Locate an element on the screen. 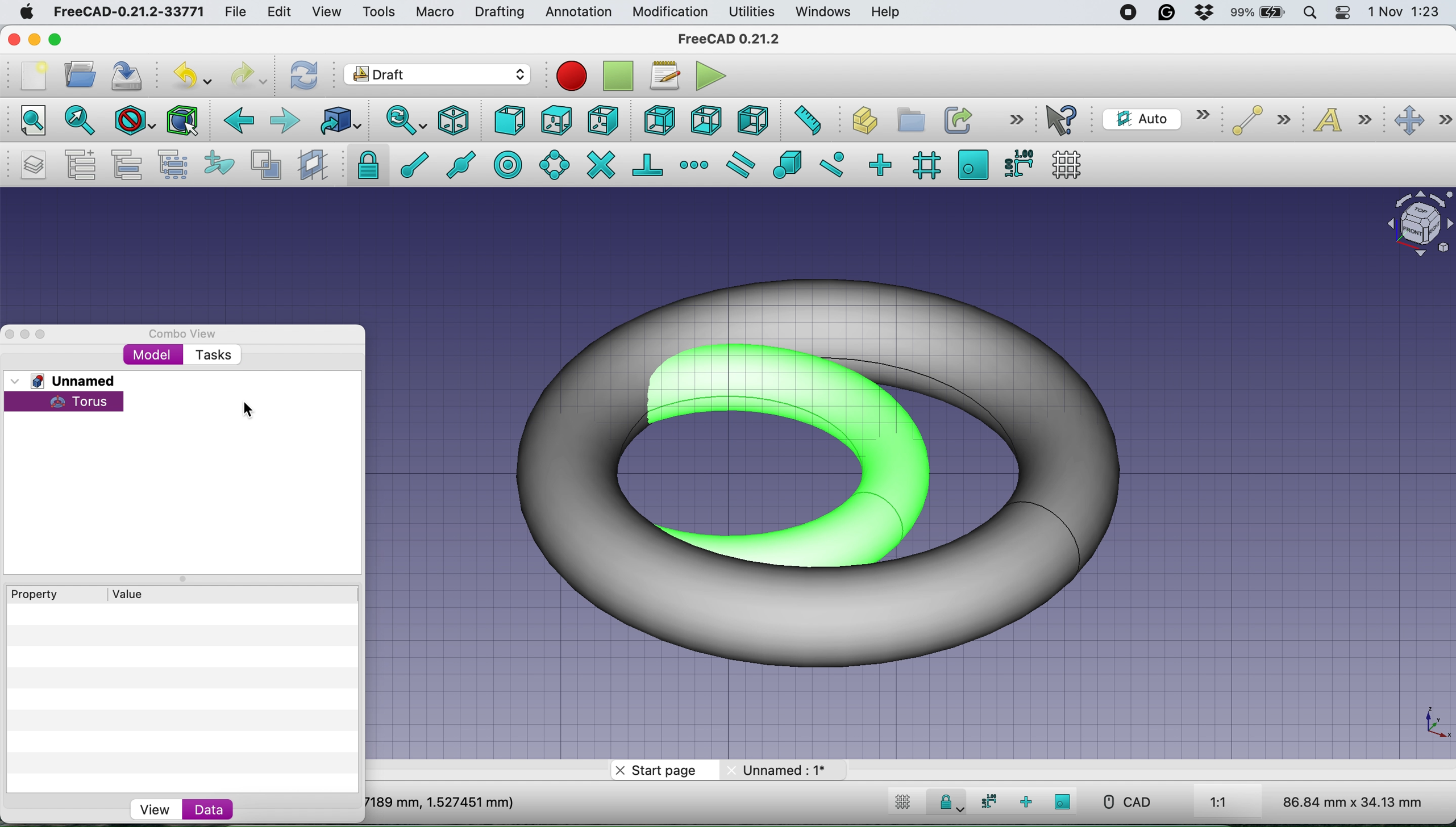 The width and height of the screenshot is (1456, 827). spotlight search is located at coordinates (1312, 11).